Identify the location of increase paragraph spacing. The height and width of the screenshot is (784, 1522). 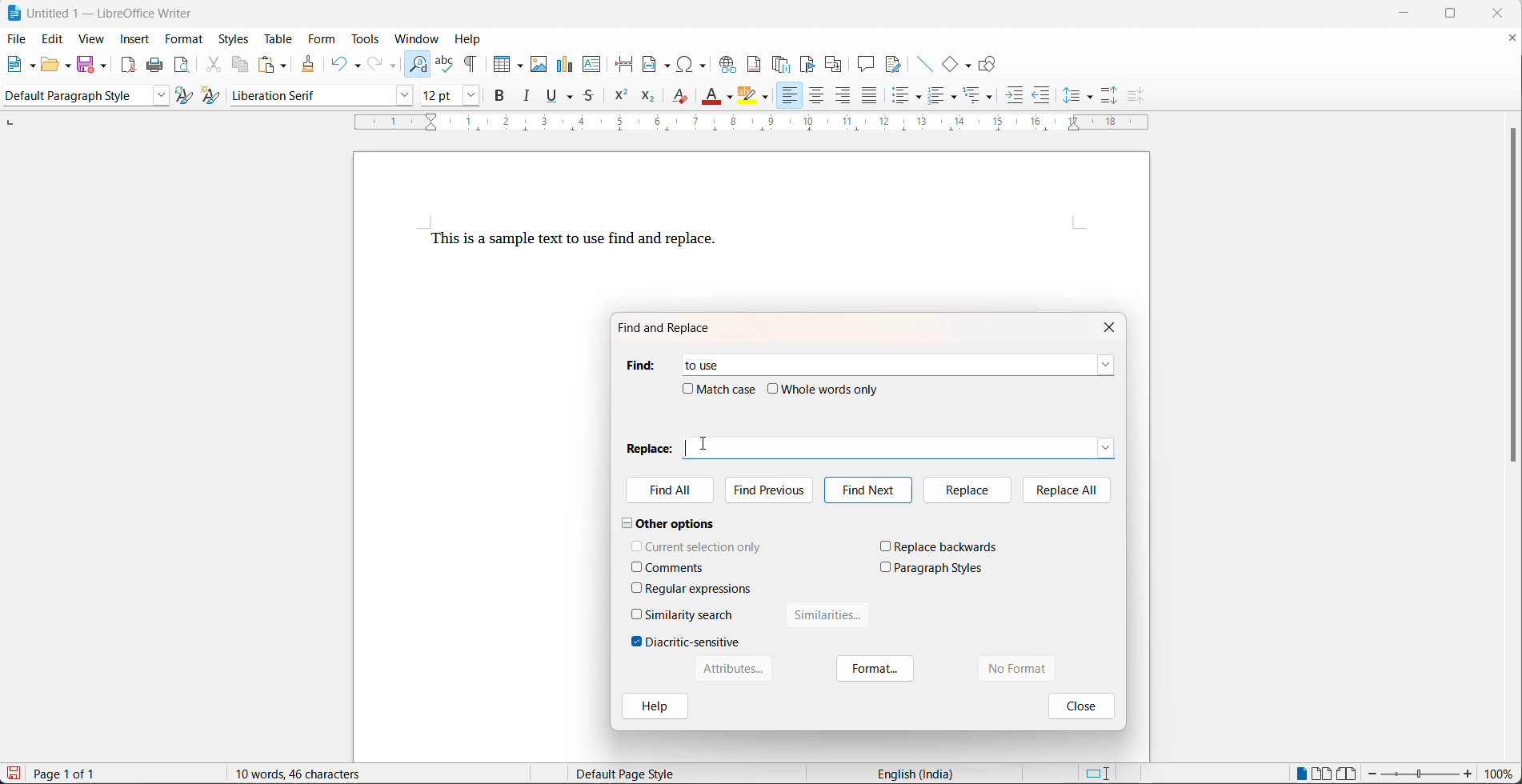
(1110, 94).